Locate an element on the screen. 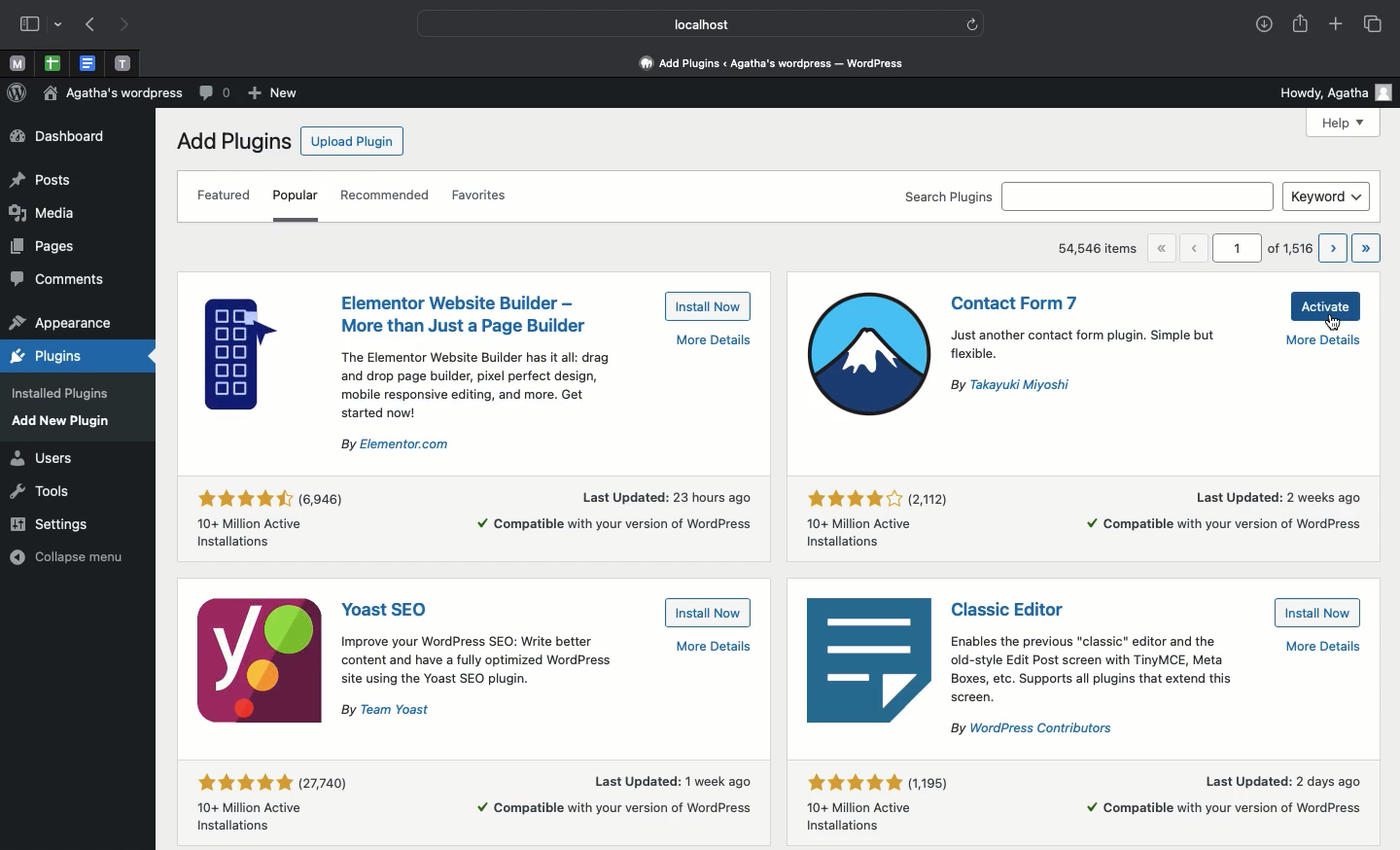 The width and height of the screenshot is (1400, 850). Popular is located at coordinates (297, 193).